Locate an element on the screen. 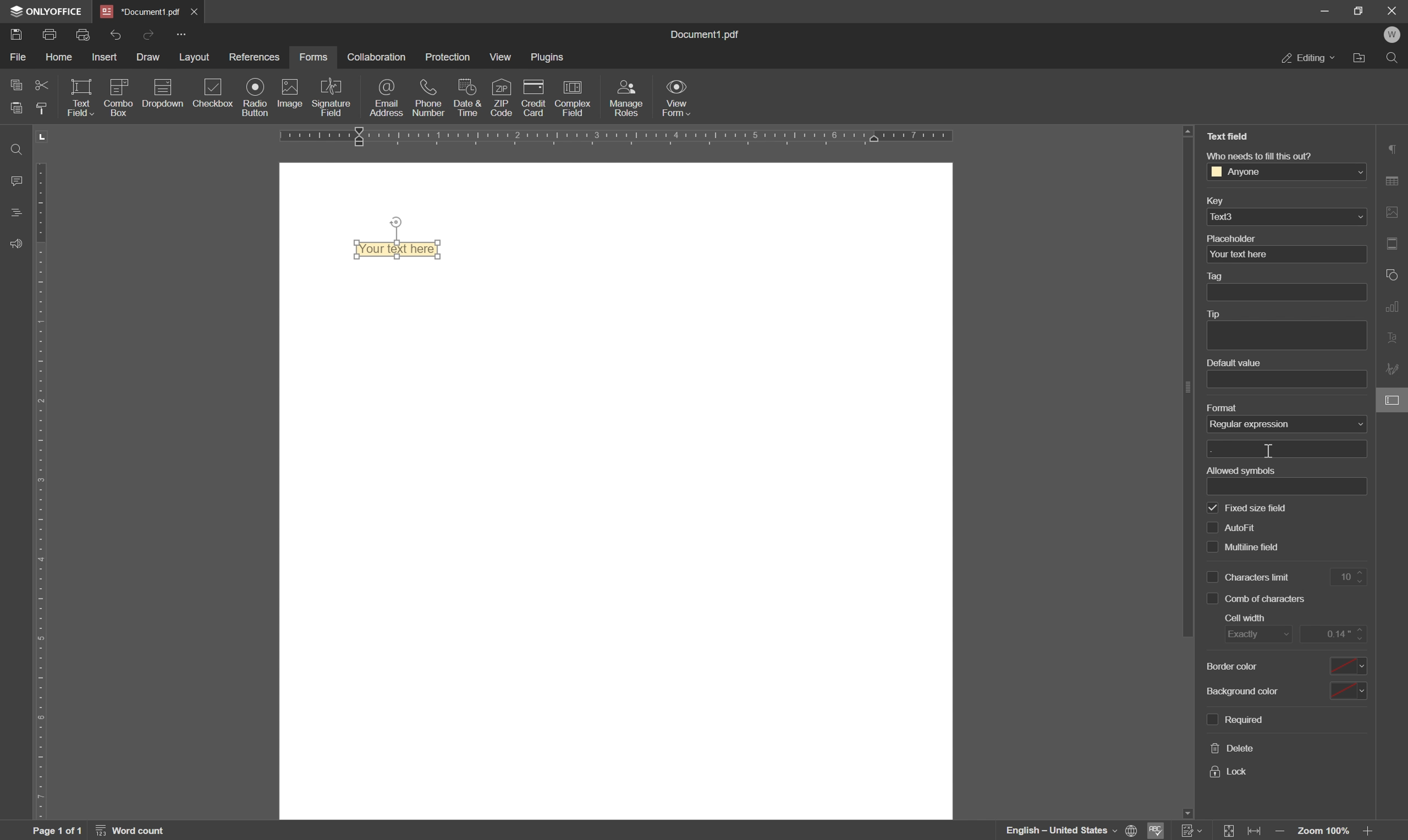  0.14 is located at coordinates (1335, 633).